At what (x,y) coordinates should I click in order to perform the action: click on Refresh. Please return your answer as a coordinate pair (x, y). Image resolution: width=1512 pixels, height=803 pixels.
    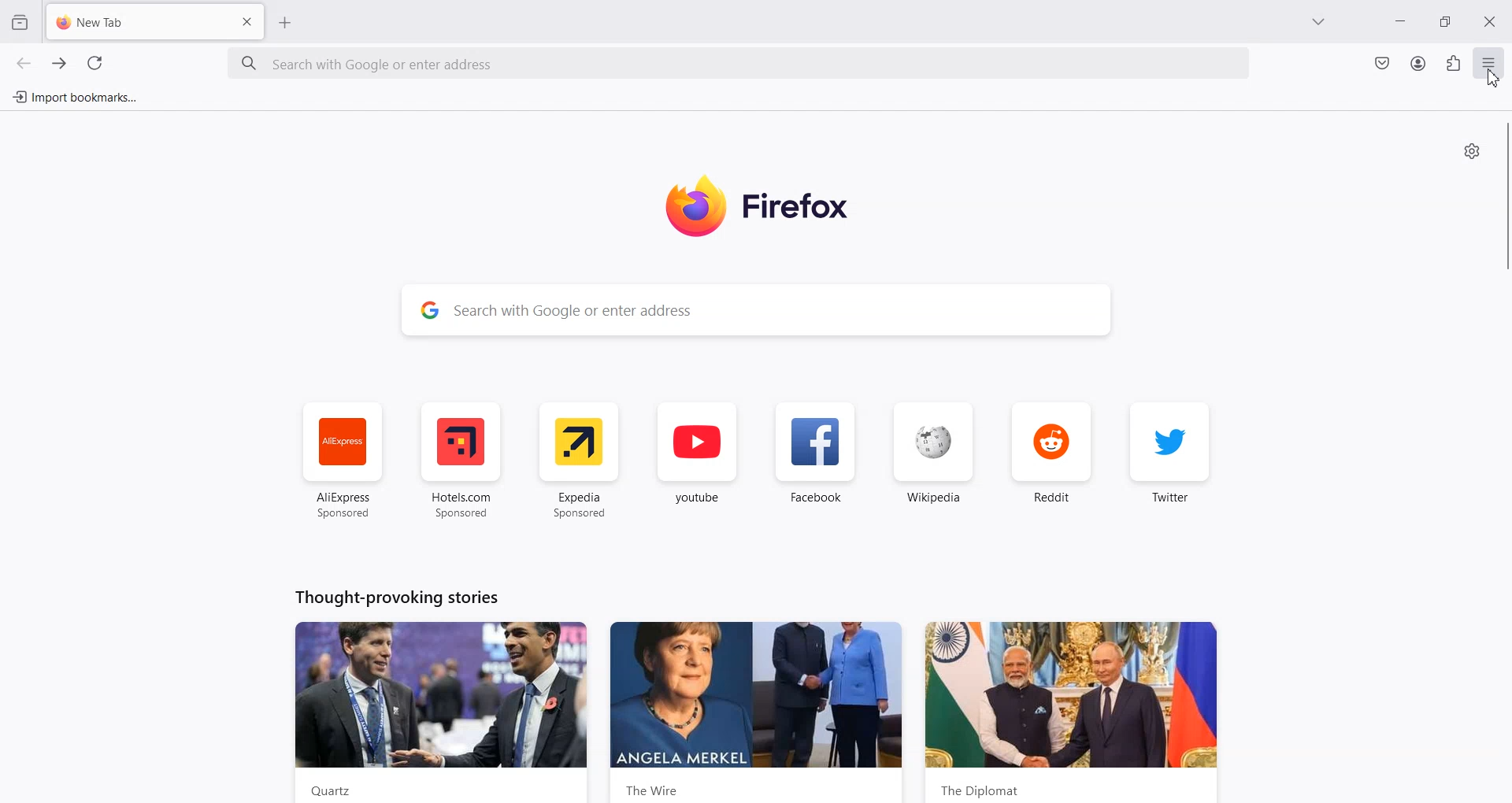
    Looking at the image, I should click on (95, 63).